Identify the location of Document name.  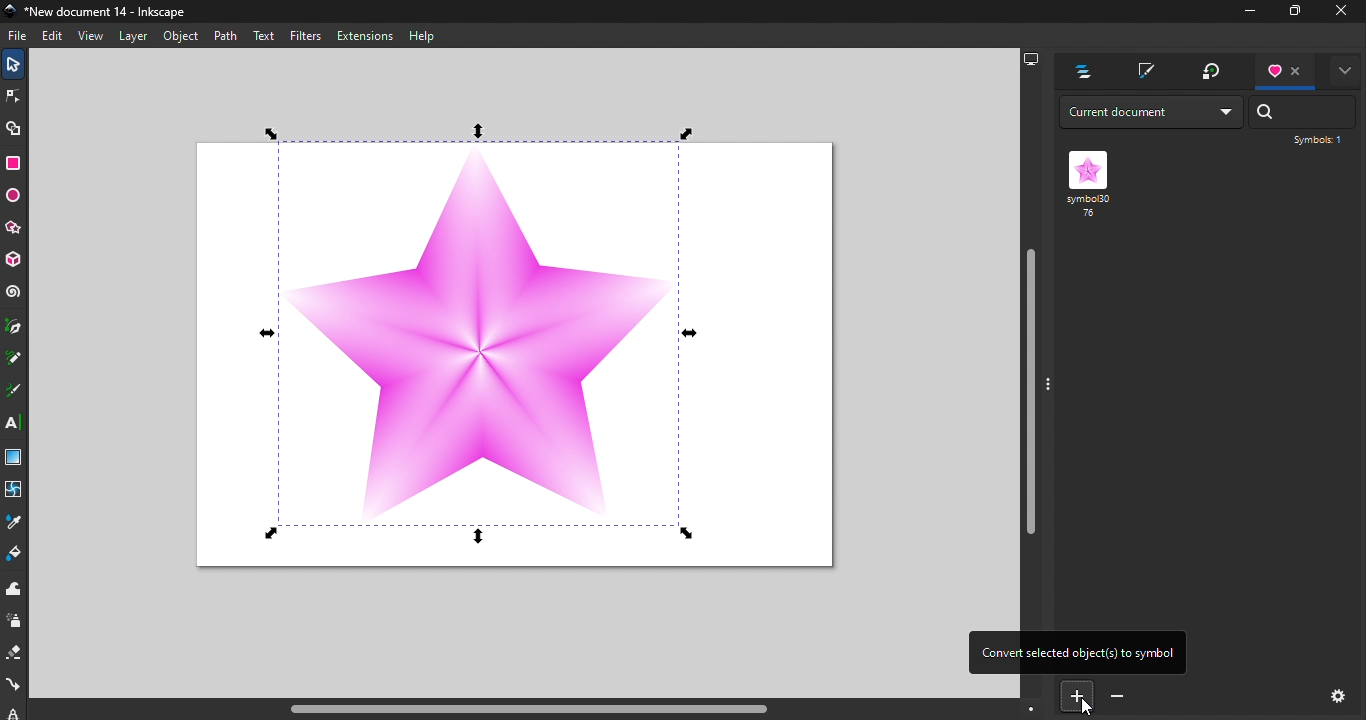
(101, 11).